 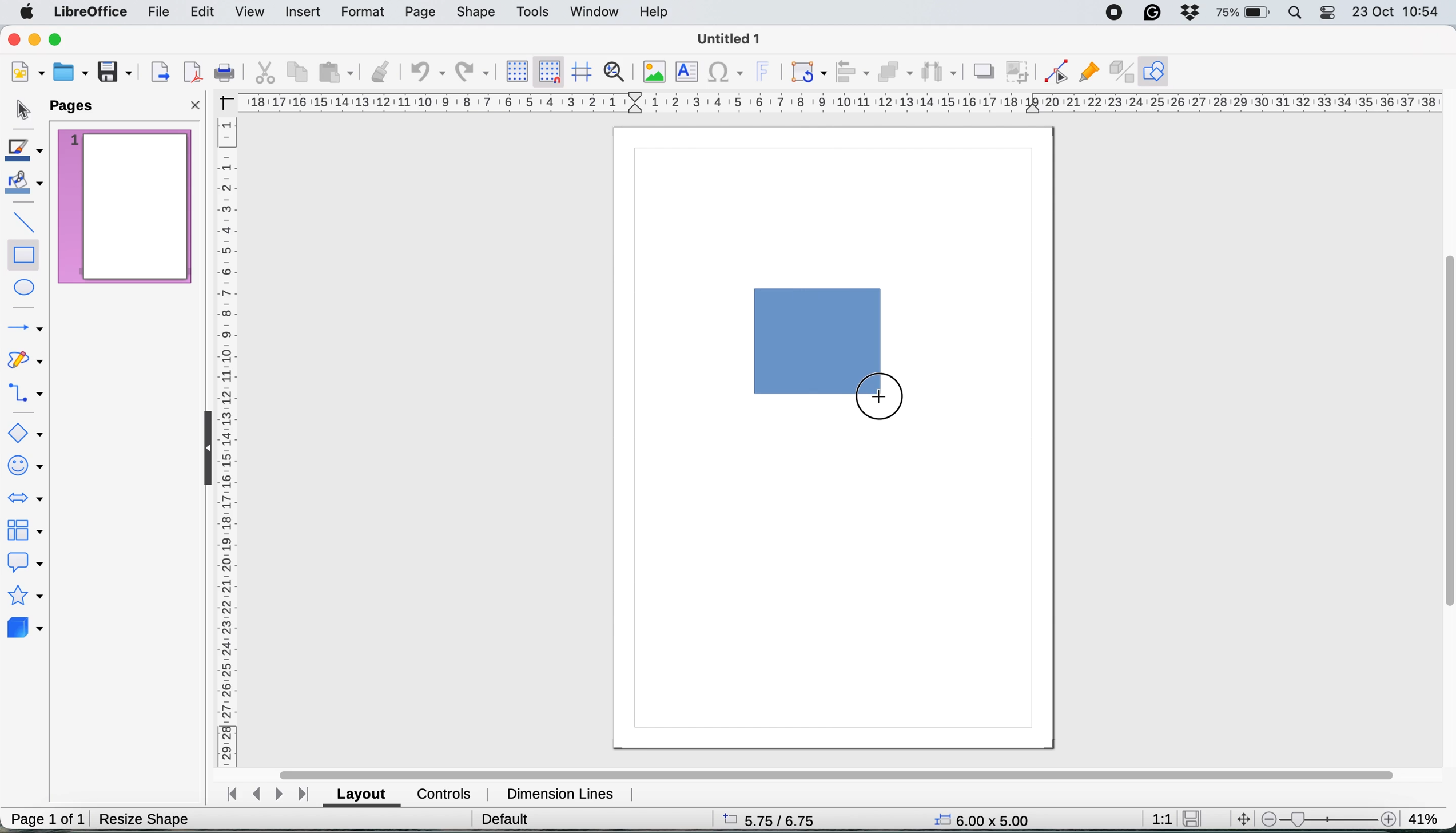 What do you see at coordinates (426, 73) in the screenshot?
I see `undo` at bounding box center [426, 73].